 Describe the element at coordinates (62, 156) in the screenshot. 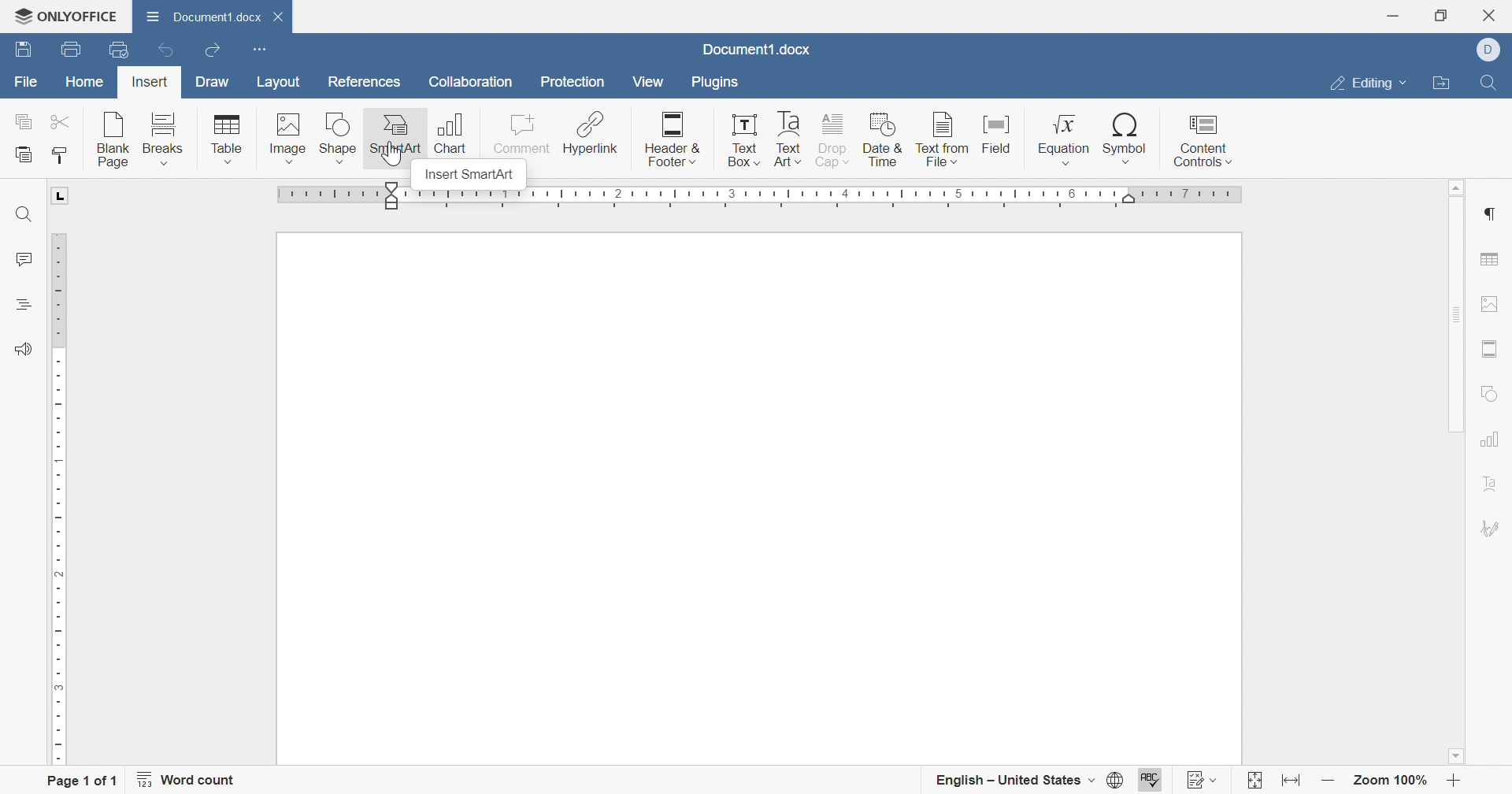

I see `Copy style` at that location.